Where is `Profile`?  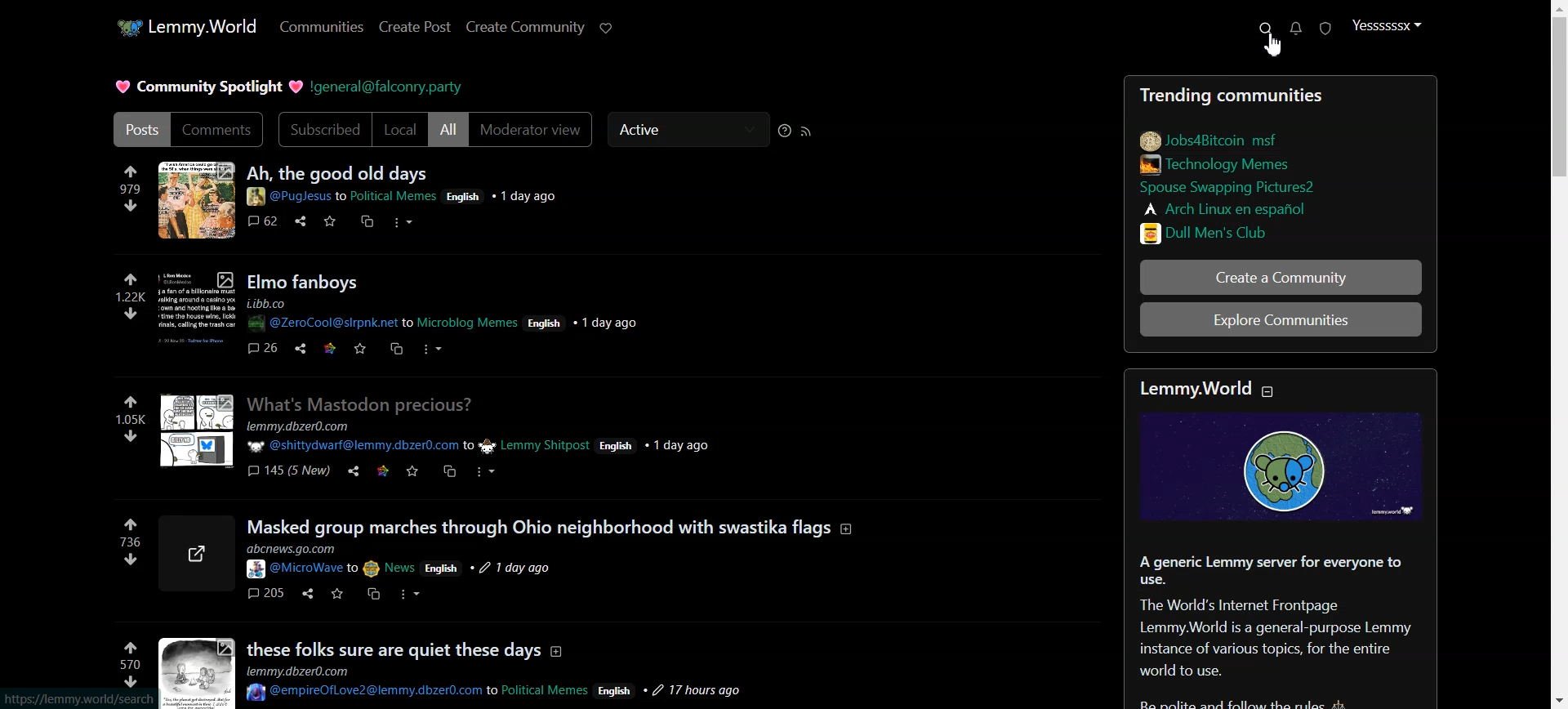 Profile is located at coordinates (1385, 25).